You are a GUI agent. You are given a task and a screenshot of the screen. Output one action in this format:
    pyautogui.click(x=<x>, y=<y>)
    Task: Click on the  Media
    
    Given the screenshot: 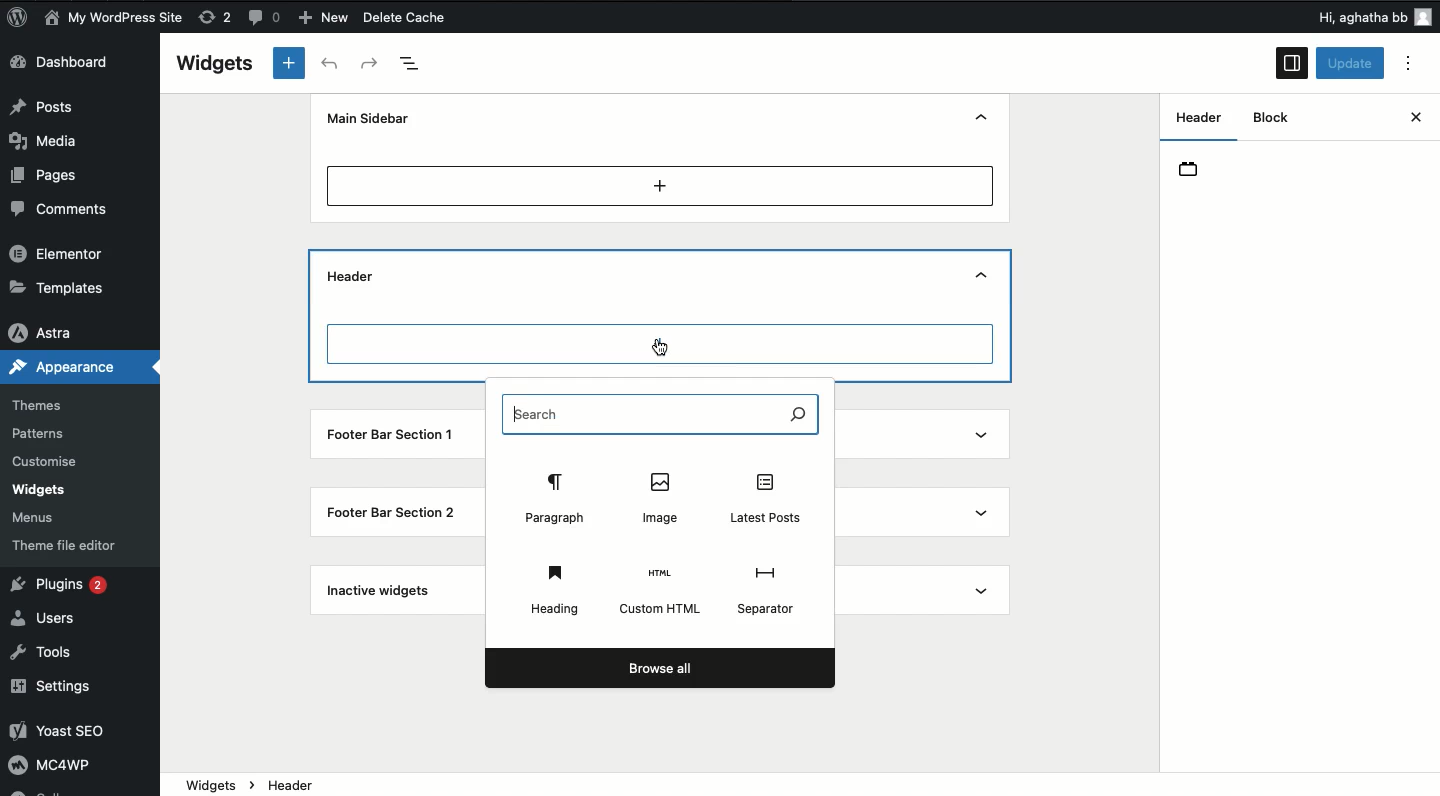 What is the action you would take?
    pyautogui.click(x=56, y=139)
    